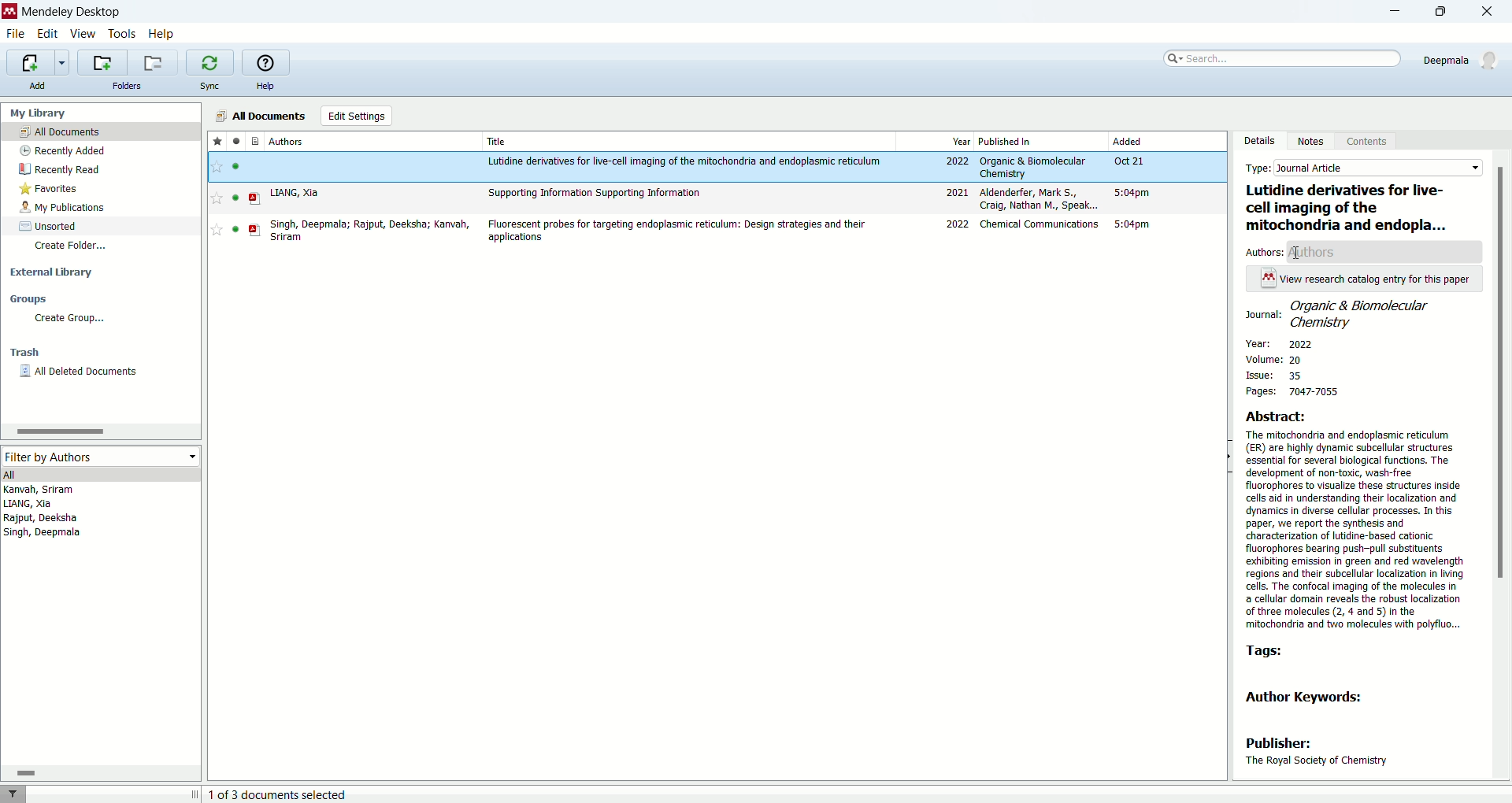 The image size is (1512, 803). Describe the element at coordinates (43, 87) in the screenshot. I see `add` at that location.